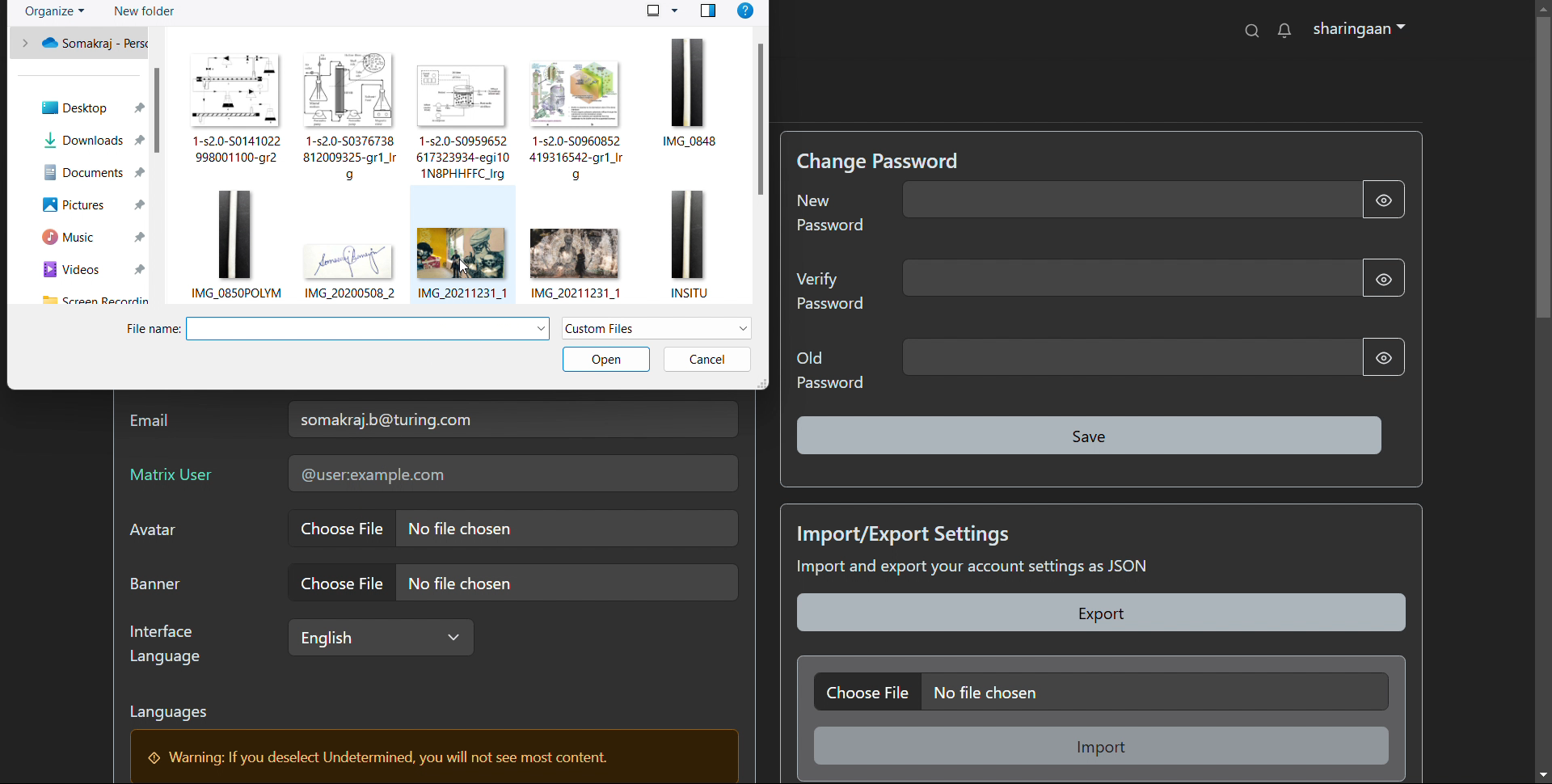  Describe the element at coordinates (1103, 613) in the screenshot. I see `export account settings` at that location.